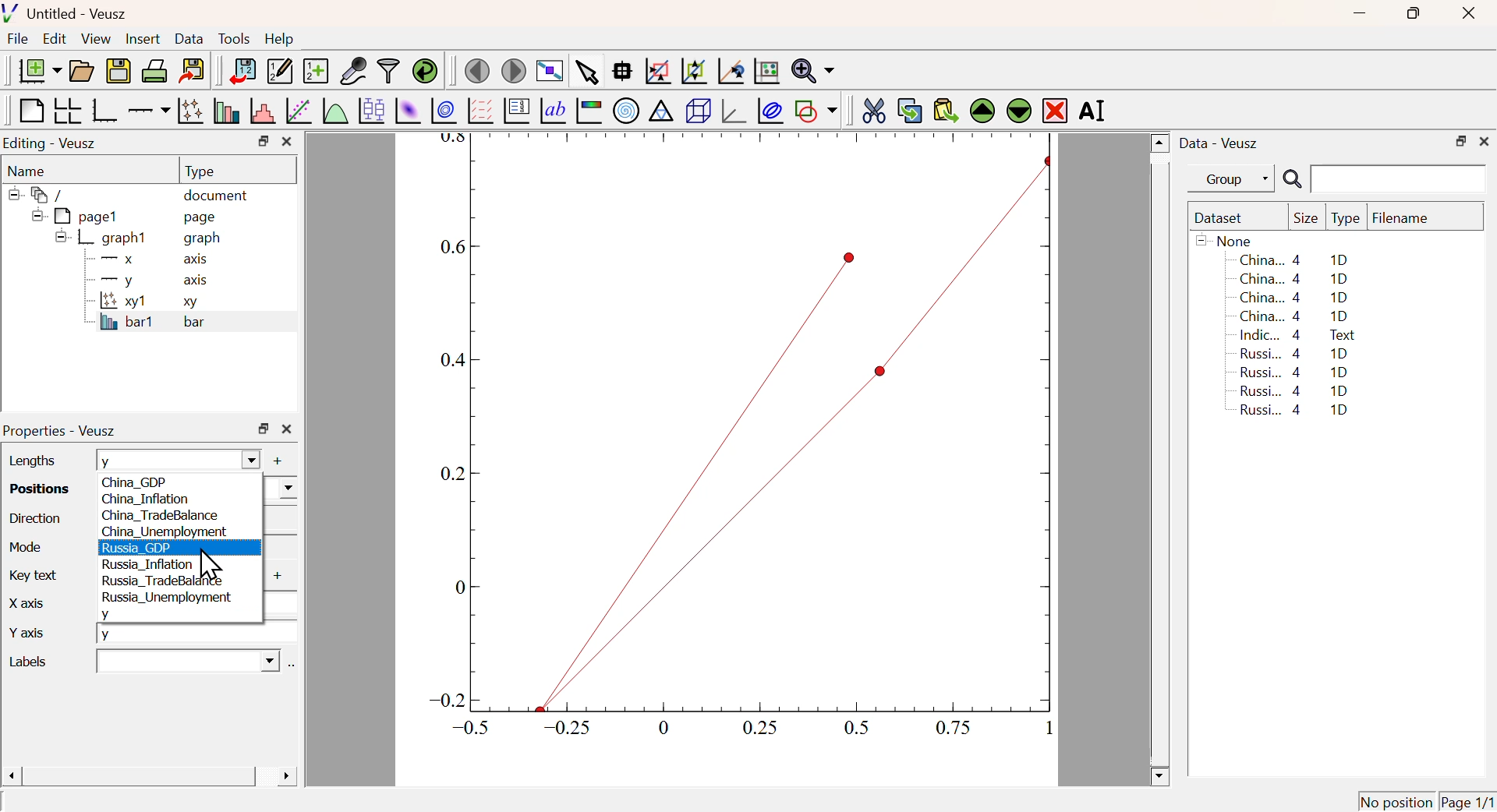 The height and width of the screenshot is (812, 1497). I want to click on View plot fullscreen, so click(547, 72).